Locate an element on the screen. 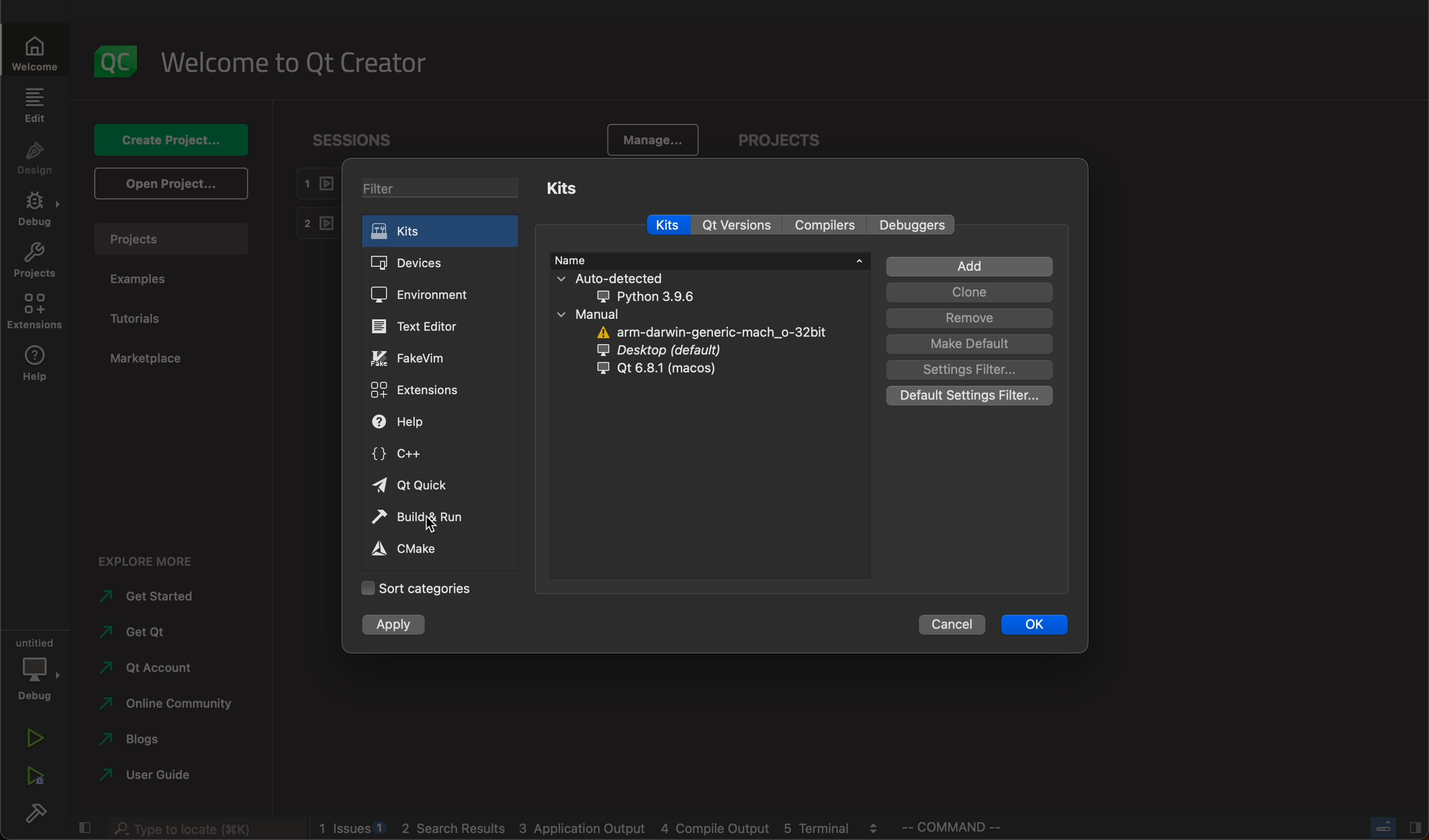  debug is located at coordinates (35, 208).